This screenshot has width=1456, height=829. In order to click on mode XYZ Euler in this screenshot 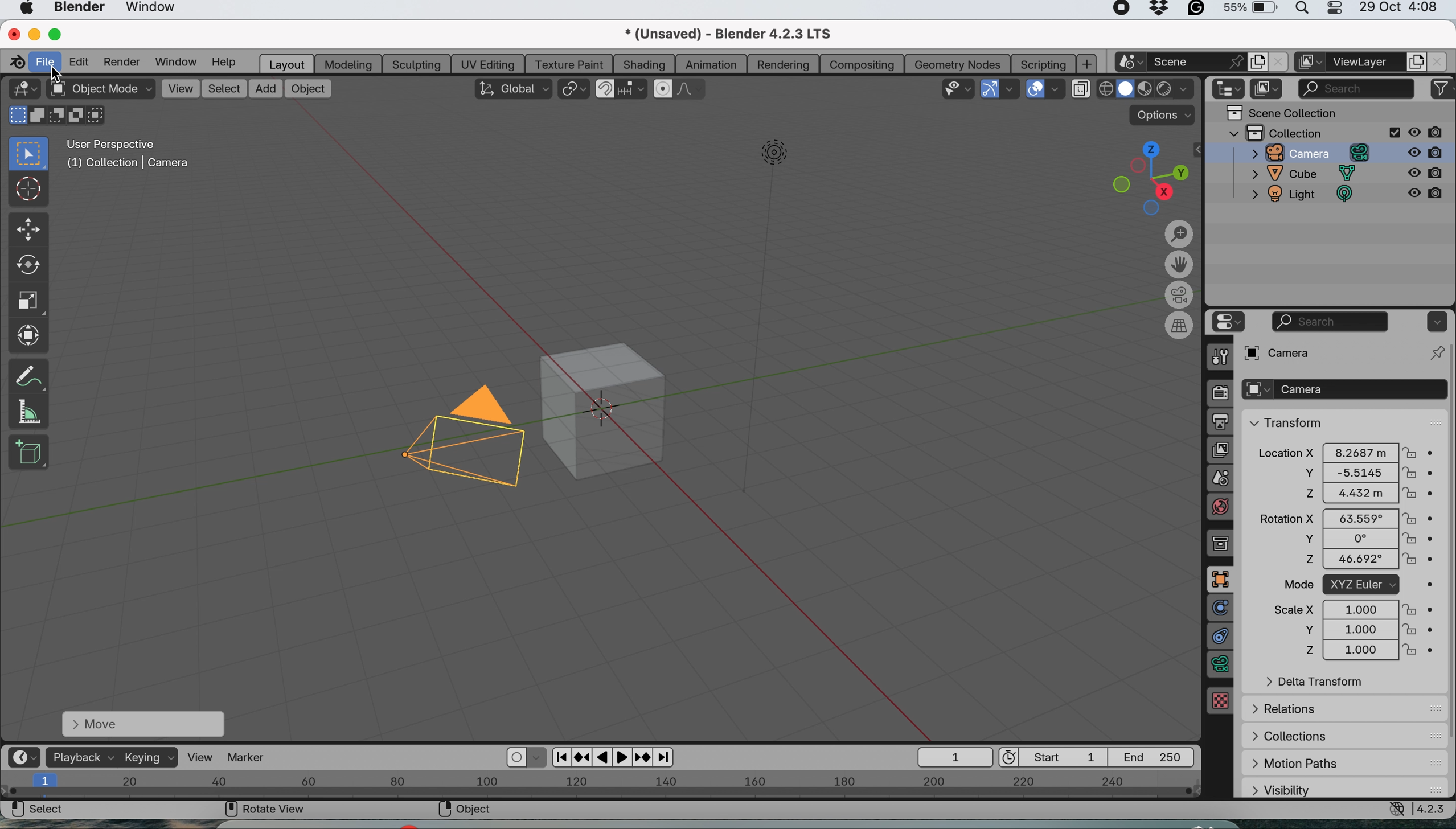, I will do `click(1350, 585)`.